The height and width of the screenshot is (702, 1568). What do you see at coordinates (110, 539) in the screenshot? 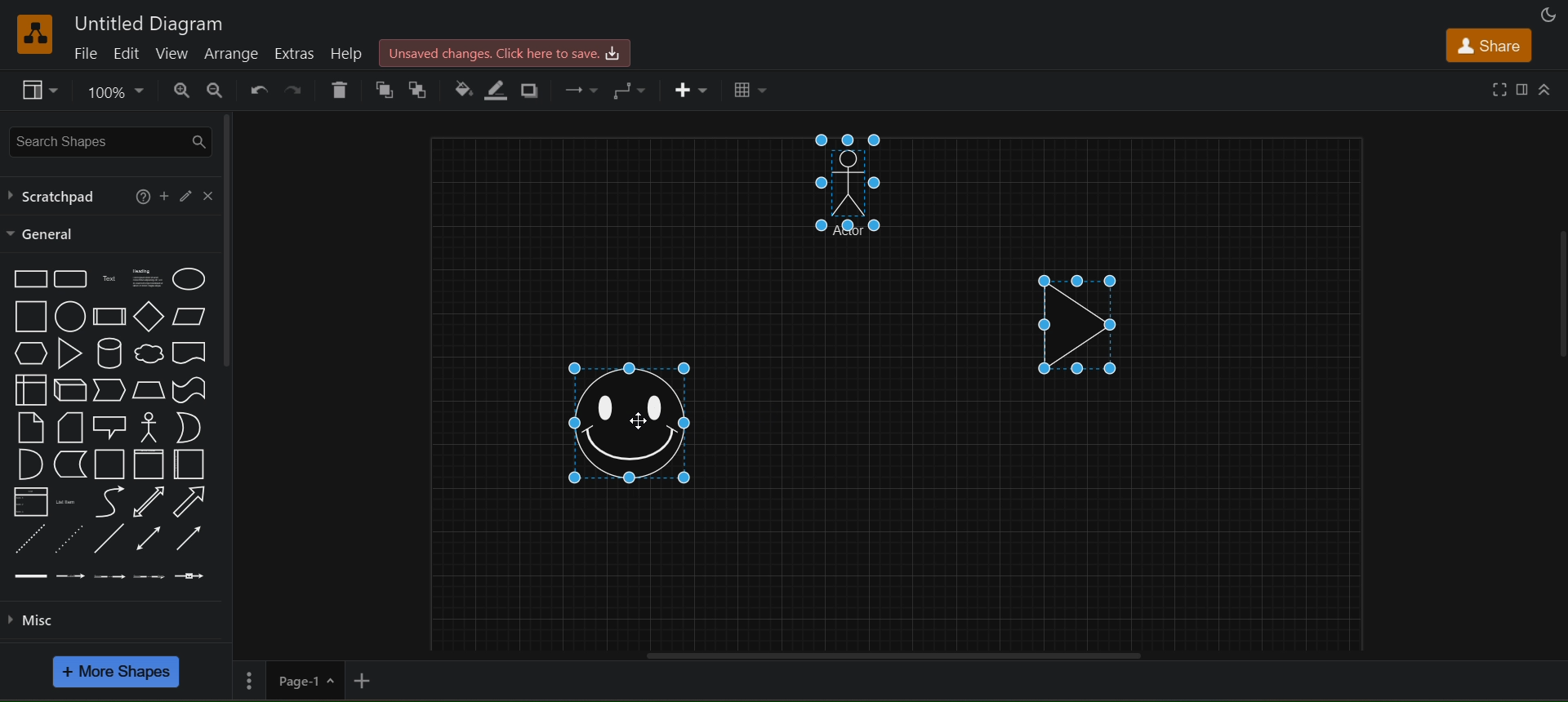
I see `line` at bounding box center [110, 539].